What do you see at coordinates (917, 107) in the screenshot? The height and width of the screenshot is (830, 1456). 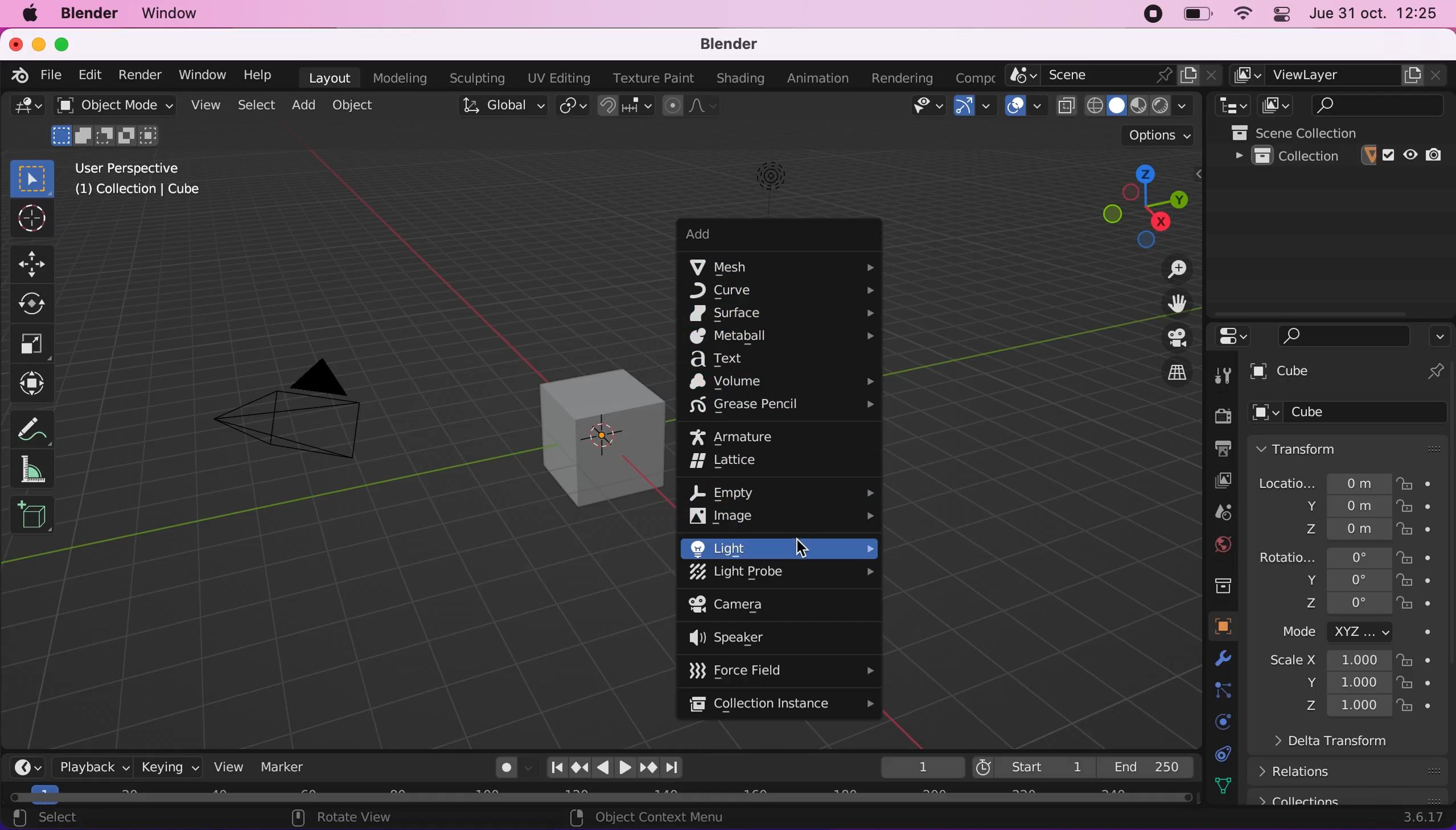 I see `view object types` at bounding box center [917, 107].